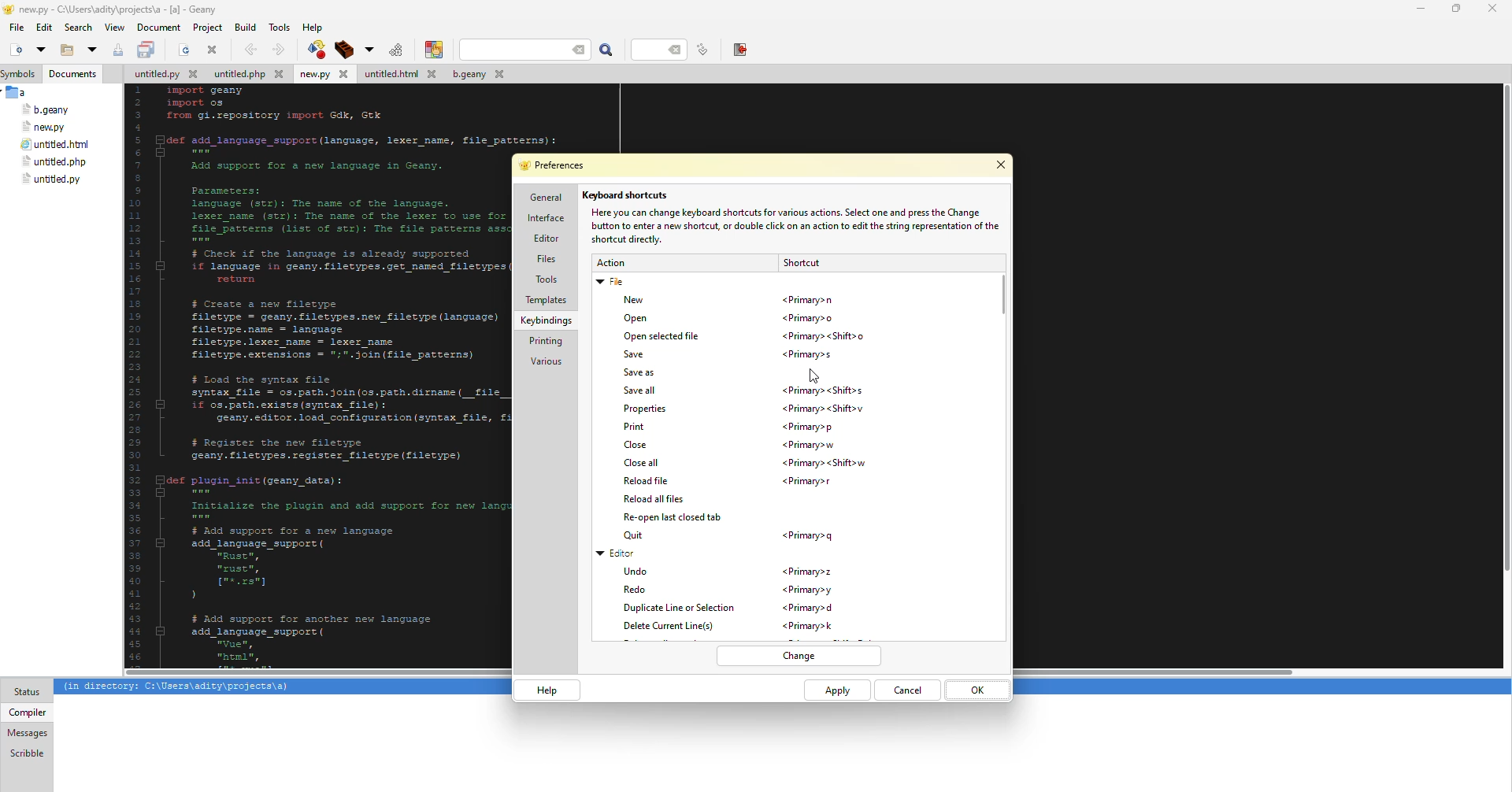  What do you see at coordinates (314, 49) in the screenshot?
I see `compile` at bounding box center [314, 49].